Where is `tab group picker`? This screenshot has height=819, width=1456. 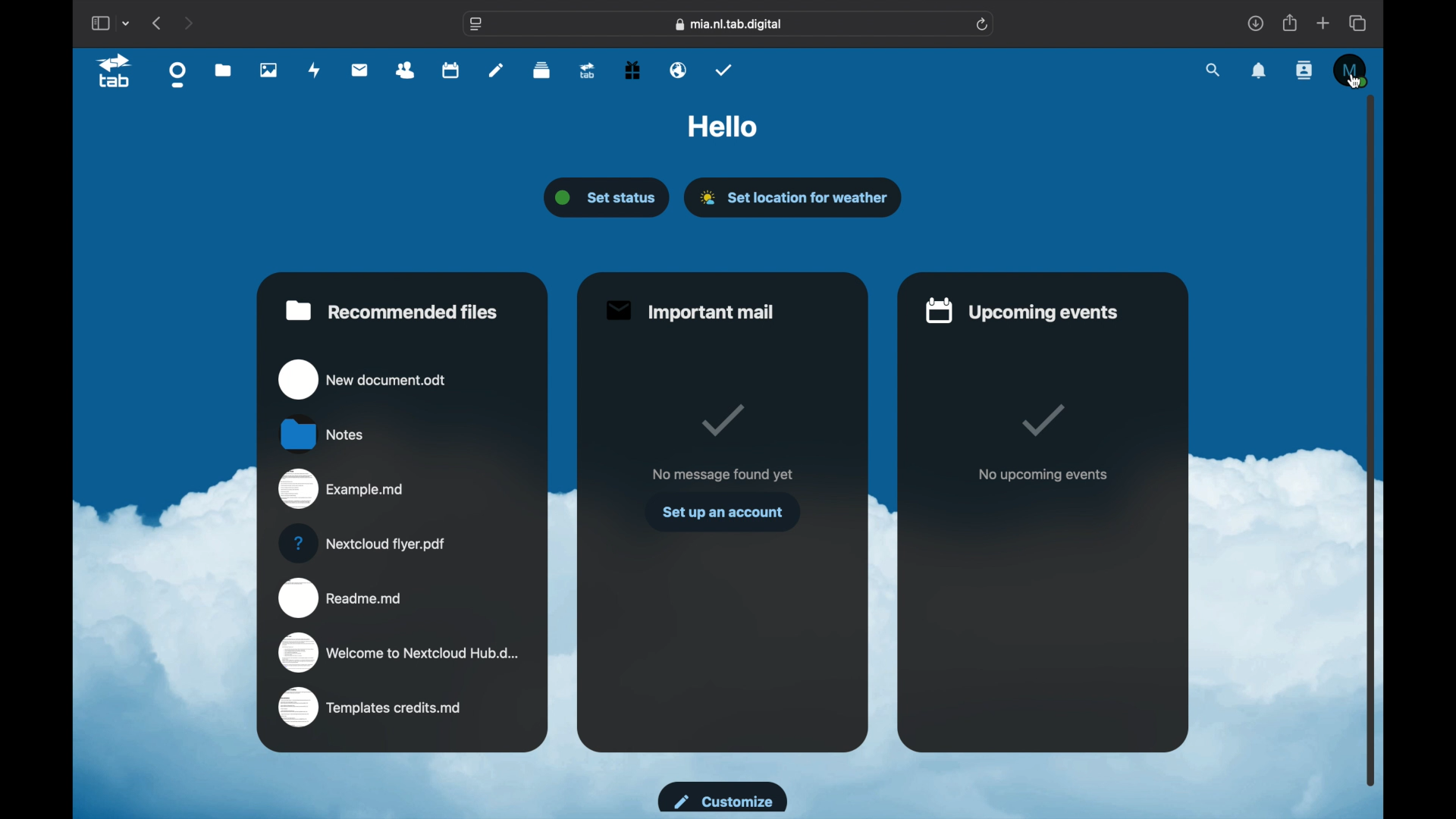 tab group picker is located at coordinates (128, 24).